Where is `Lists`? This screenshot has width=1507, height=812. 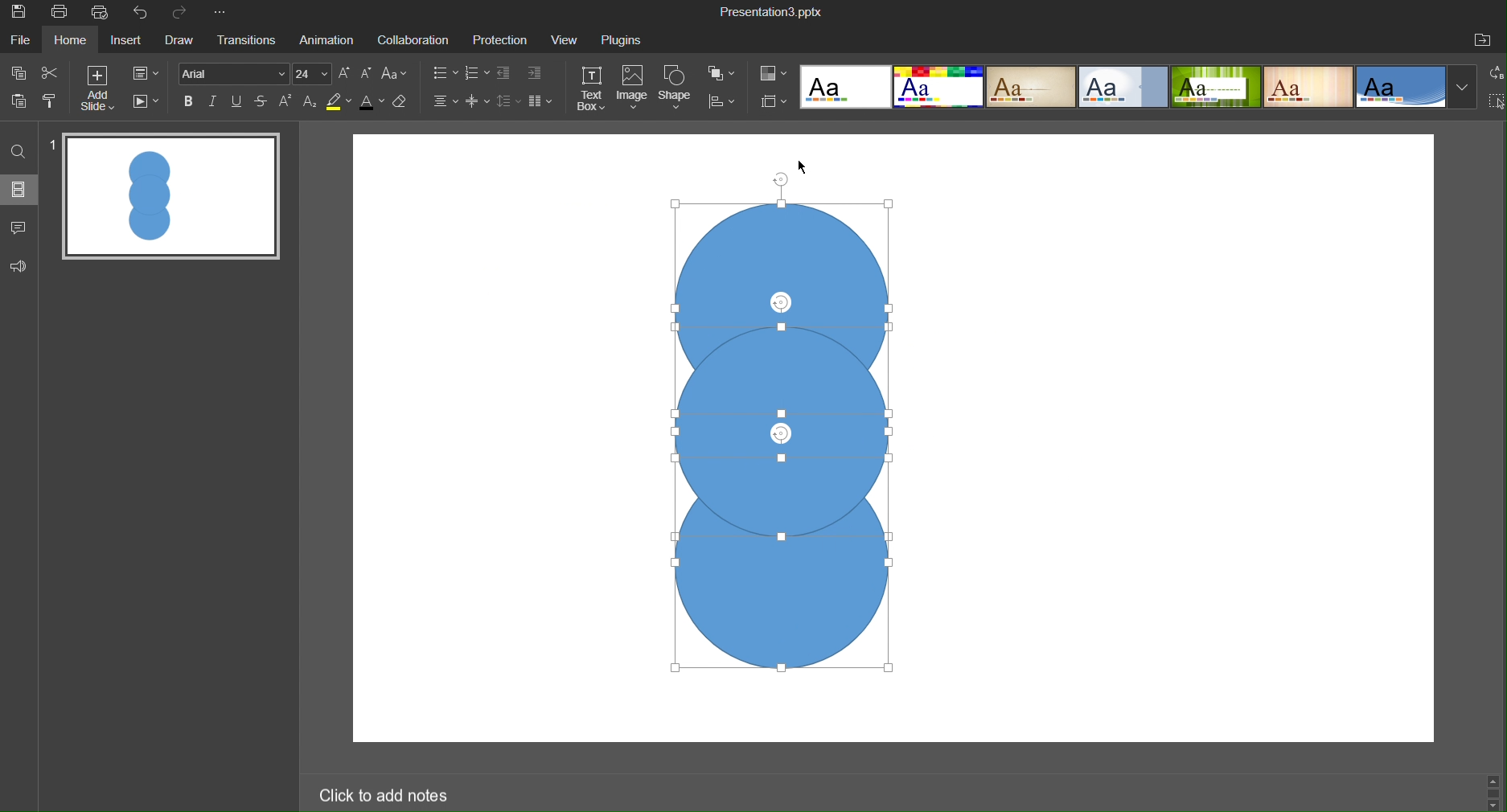 Lists is located at coordinates (456, 74).